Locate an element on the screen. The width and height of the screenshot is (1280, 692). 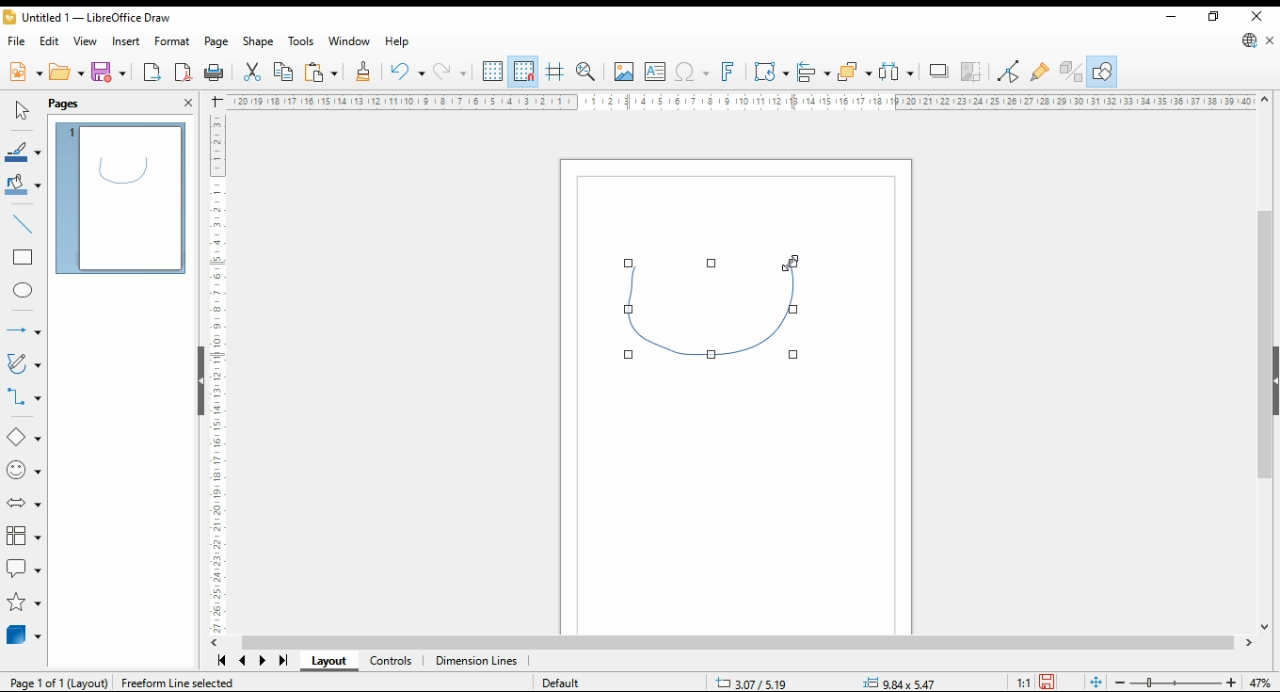
minimize is located at coordinates (1170, 15).